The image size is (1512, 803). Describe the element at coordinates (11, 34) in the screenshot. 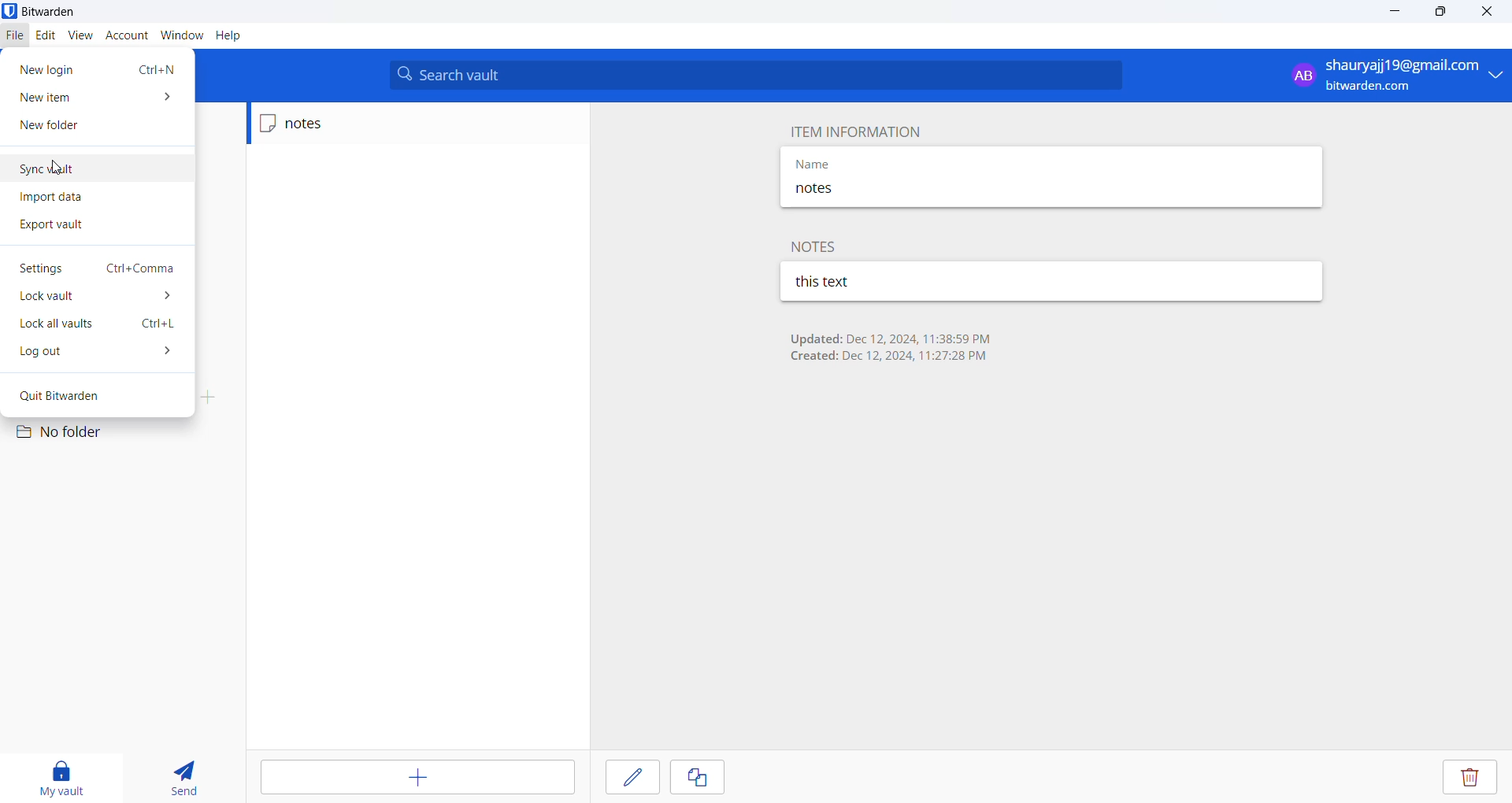

I see `files` at that location.